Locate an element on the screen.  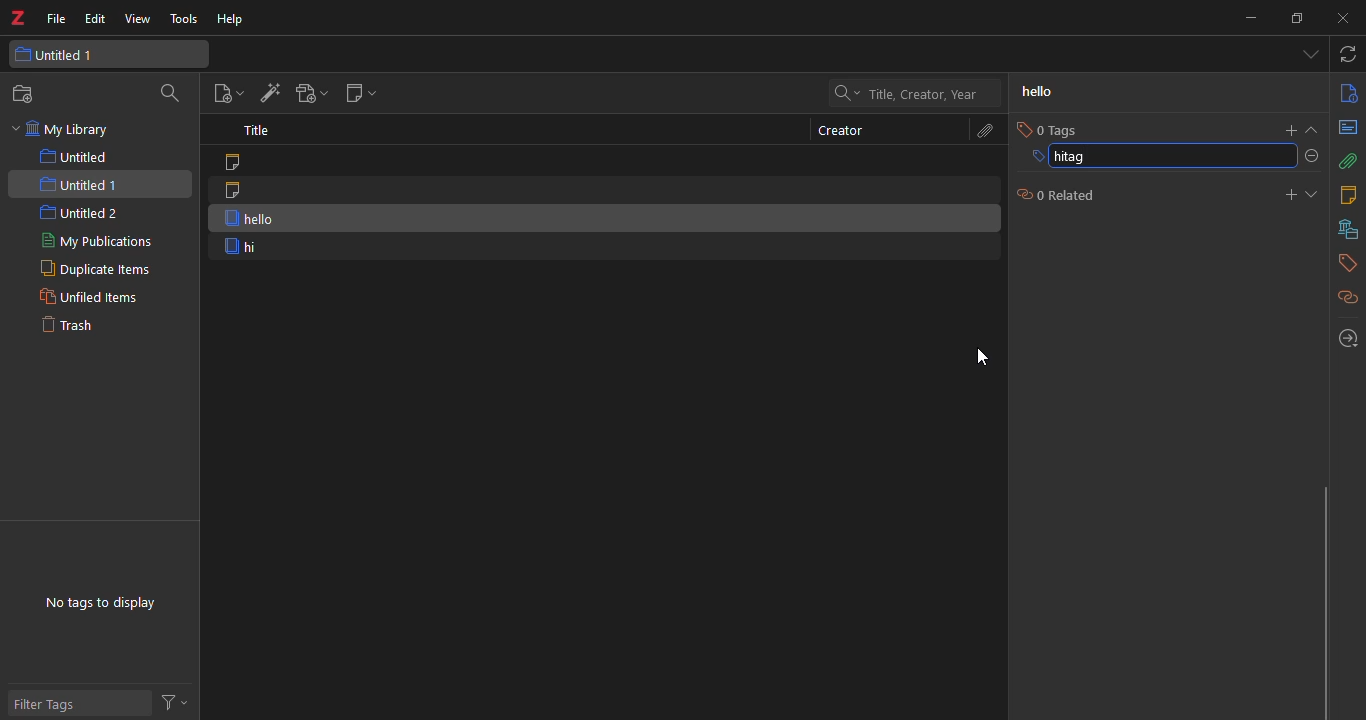
minimize is located at coordinates (1250, 17).